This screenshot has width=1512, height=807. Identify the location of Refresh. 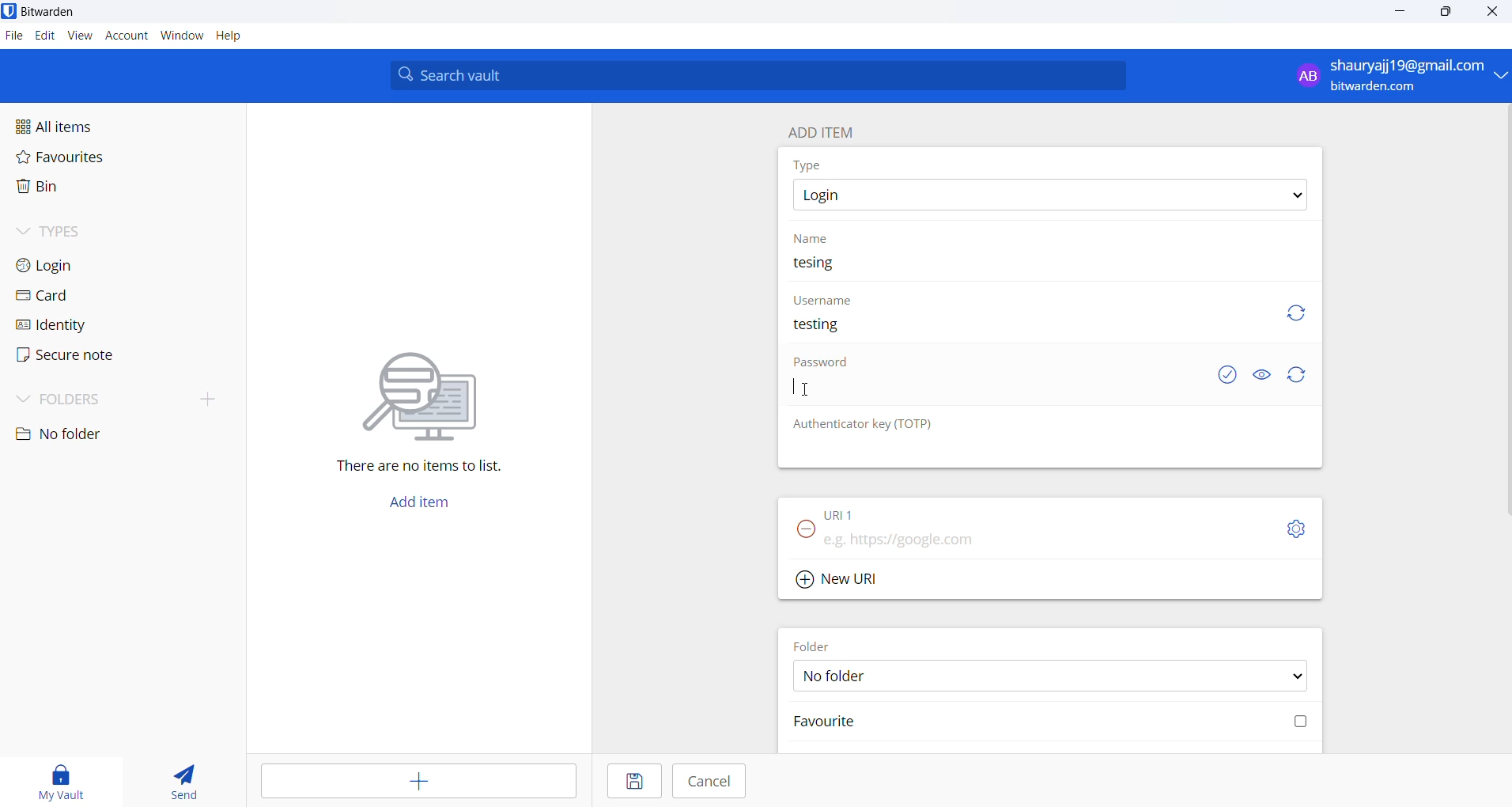
(1305, 375).